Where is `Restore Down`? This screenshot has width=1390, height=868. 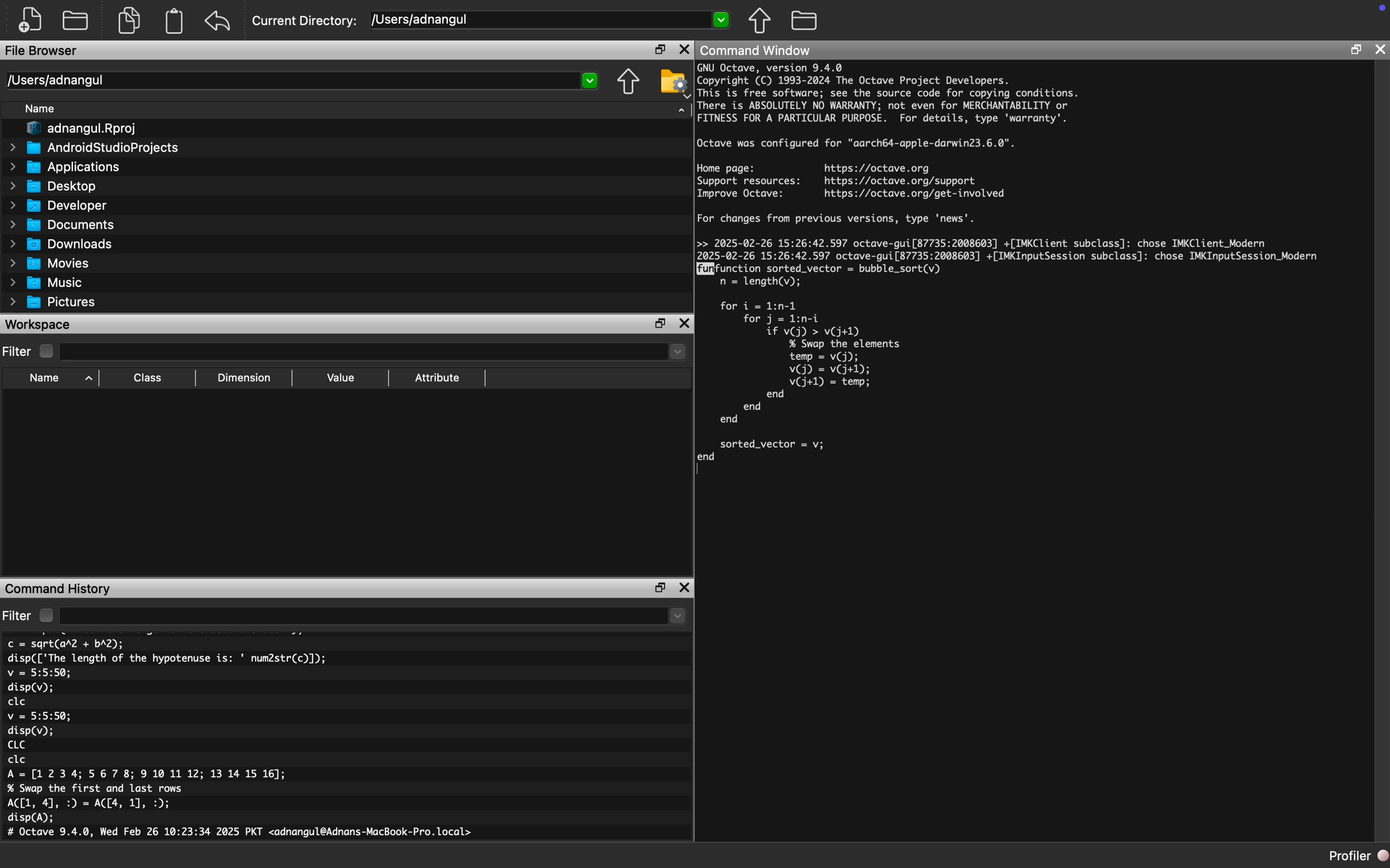 Restore Down is located at coordinates (660, 49).